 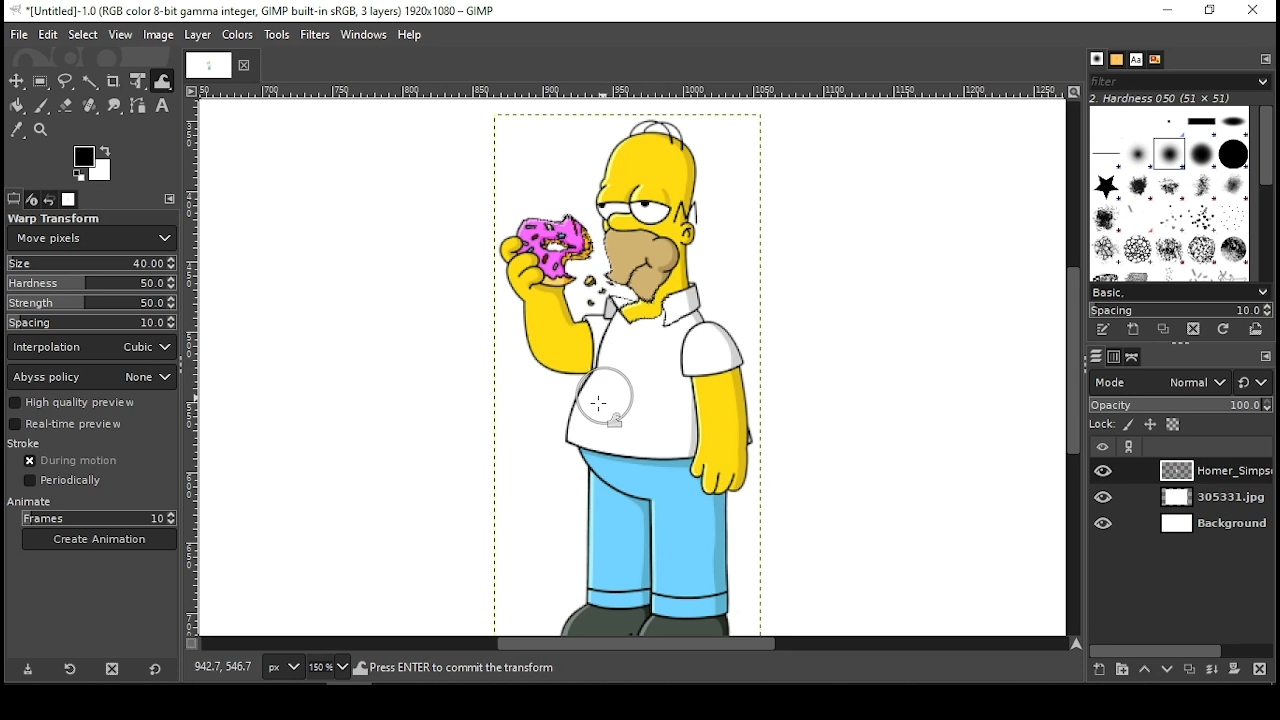 What do you see at coordinates (16, 106) in the screenshot?
I see `painbucket tool` at bounding box center [16, 106].